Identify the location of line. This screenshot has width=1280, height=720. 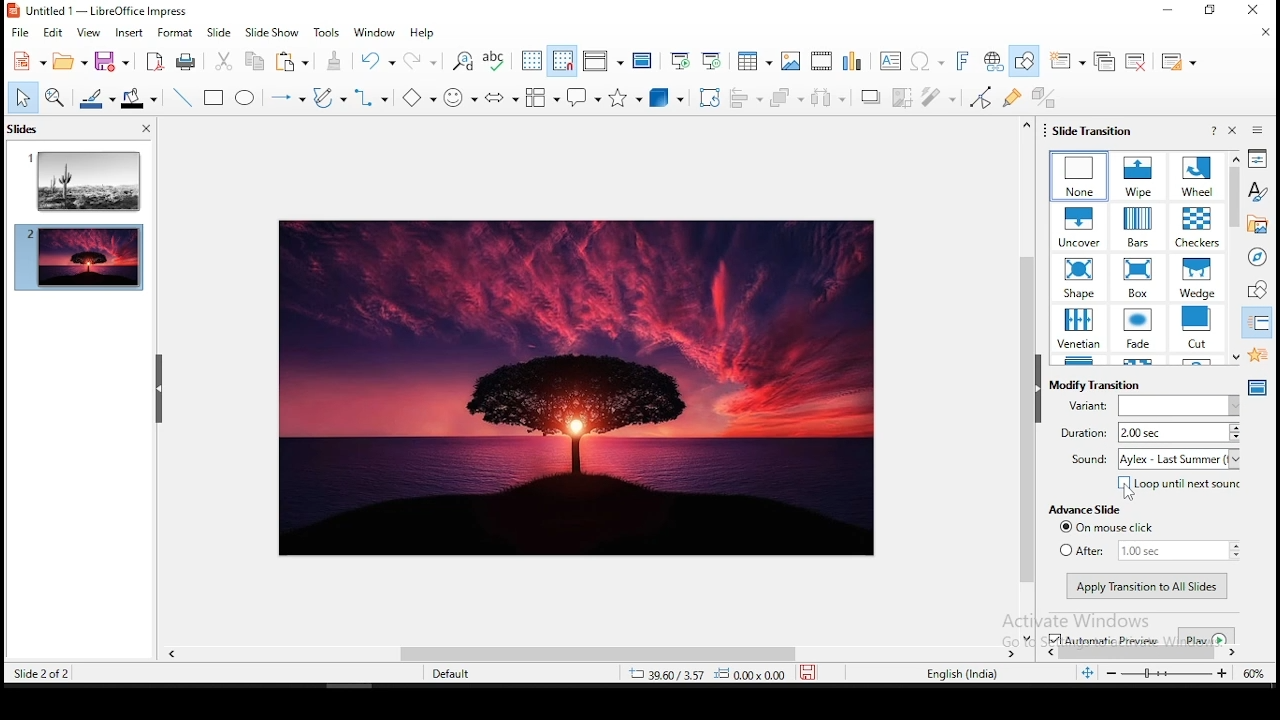
(182, 97).